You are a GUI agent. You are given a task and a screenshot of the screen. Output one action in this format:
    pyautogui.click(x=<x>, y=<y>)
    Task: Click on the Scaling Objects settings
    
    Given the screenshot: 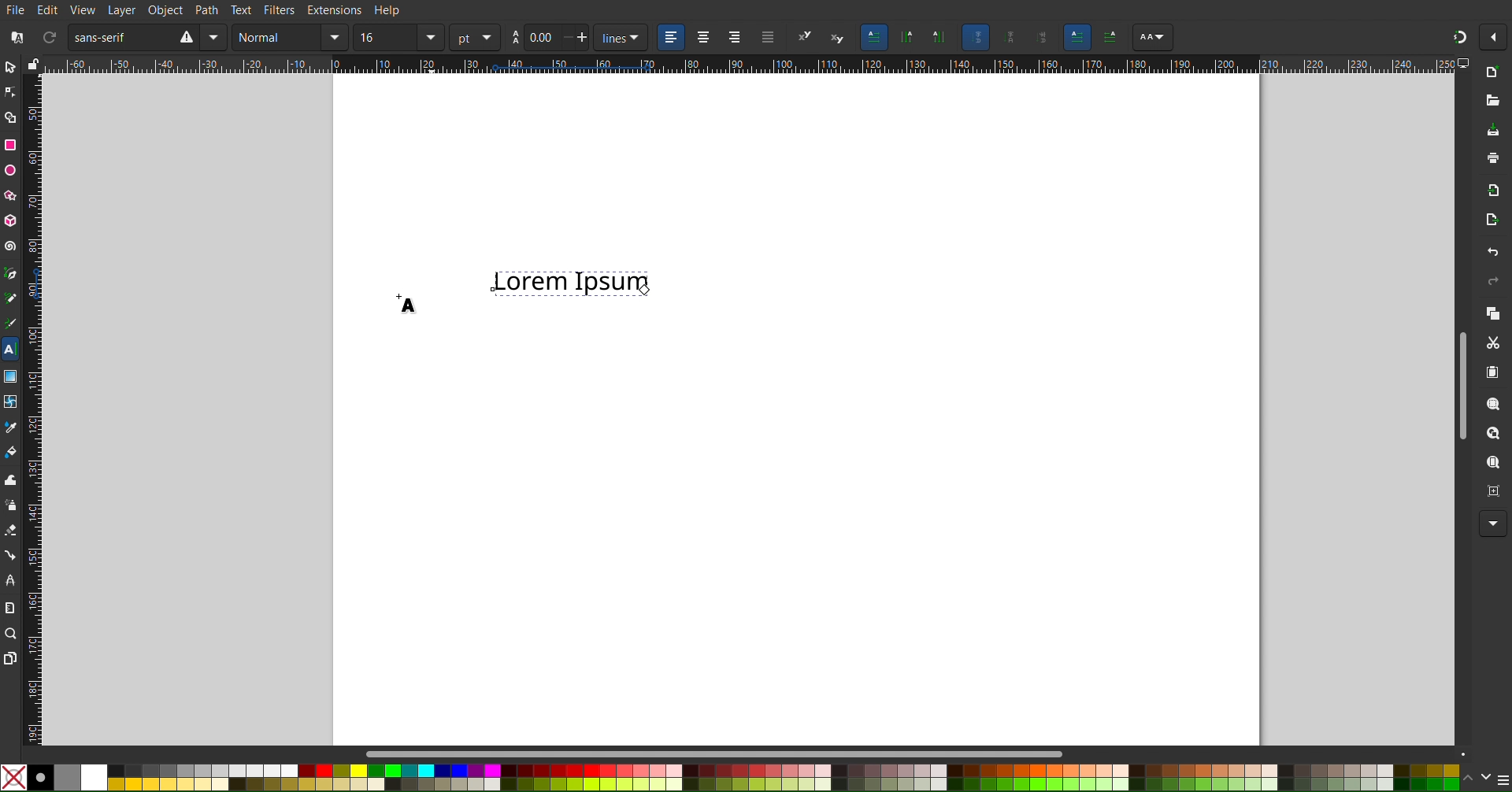 What is the action you would take?
    pyautogui.click(x=907, y=37)
    